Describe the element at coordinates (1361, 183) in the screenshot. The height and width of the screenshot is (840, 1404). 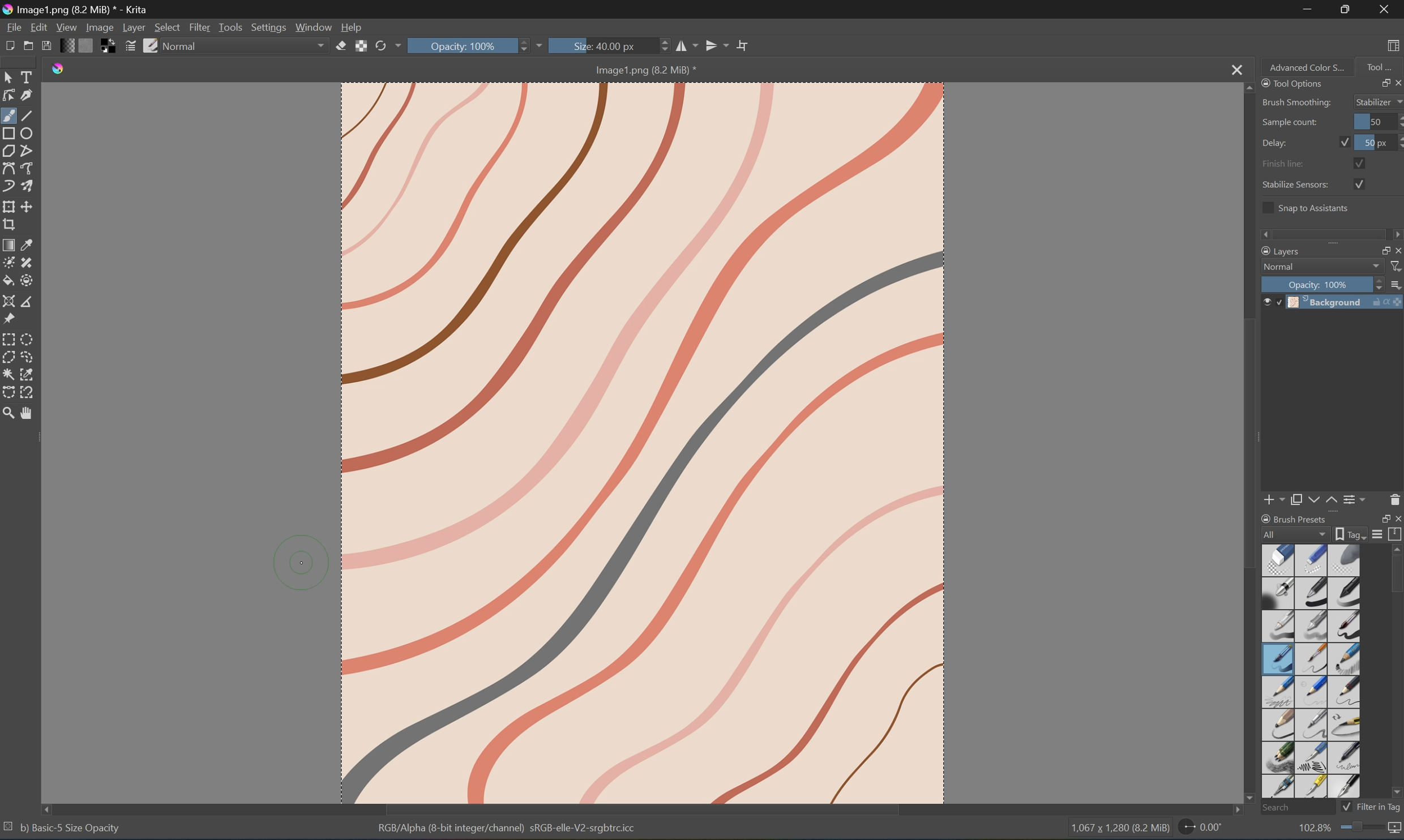
I see `Checkbox` at that location.